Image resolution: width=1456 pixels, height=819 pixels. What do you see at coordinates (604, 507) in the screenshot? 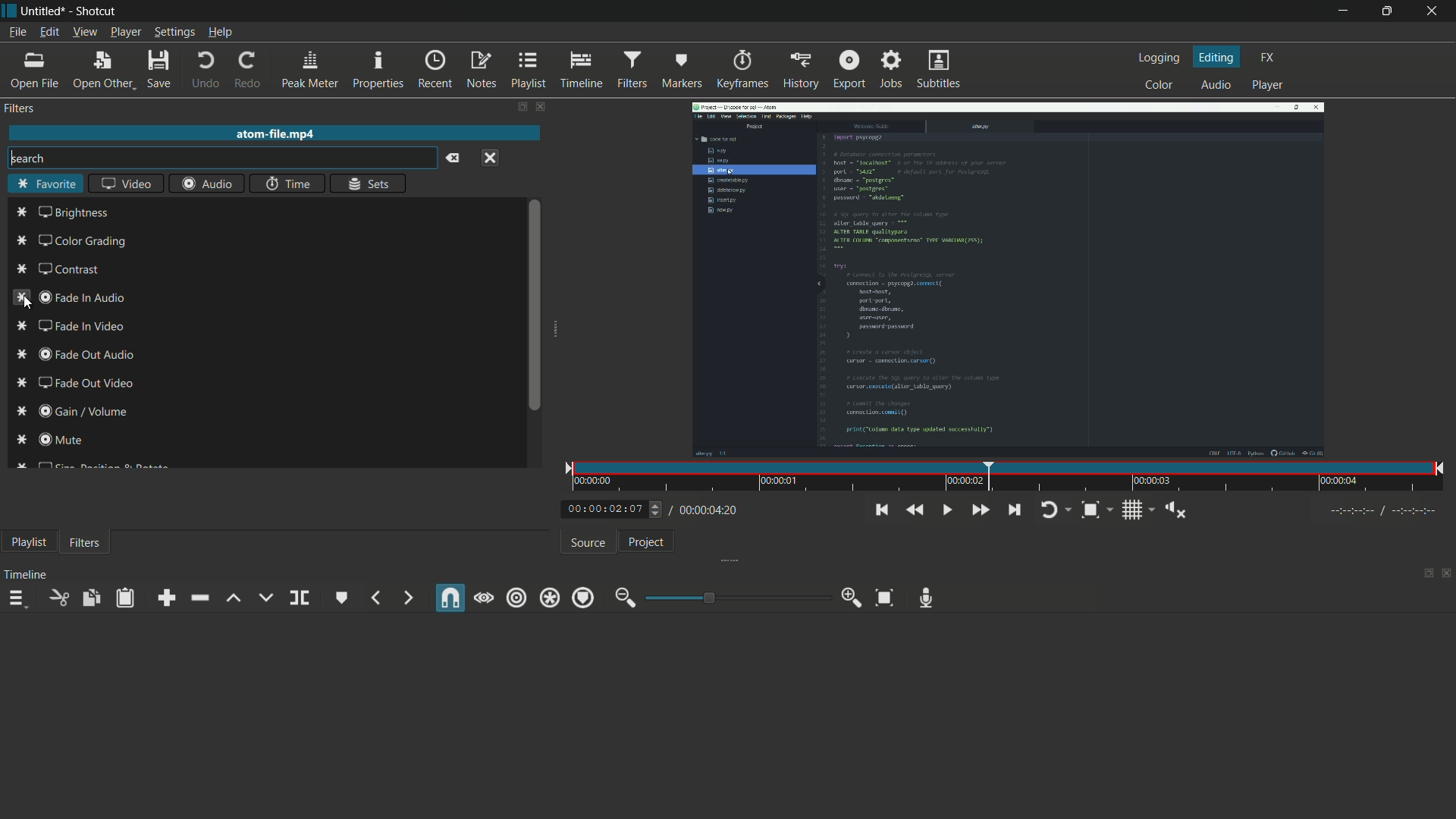
I see `current time` at bounding box center [604, 507].